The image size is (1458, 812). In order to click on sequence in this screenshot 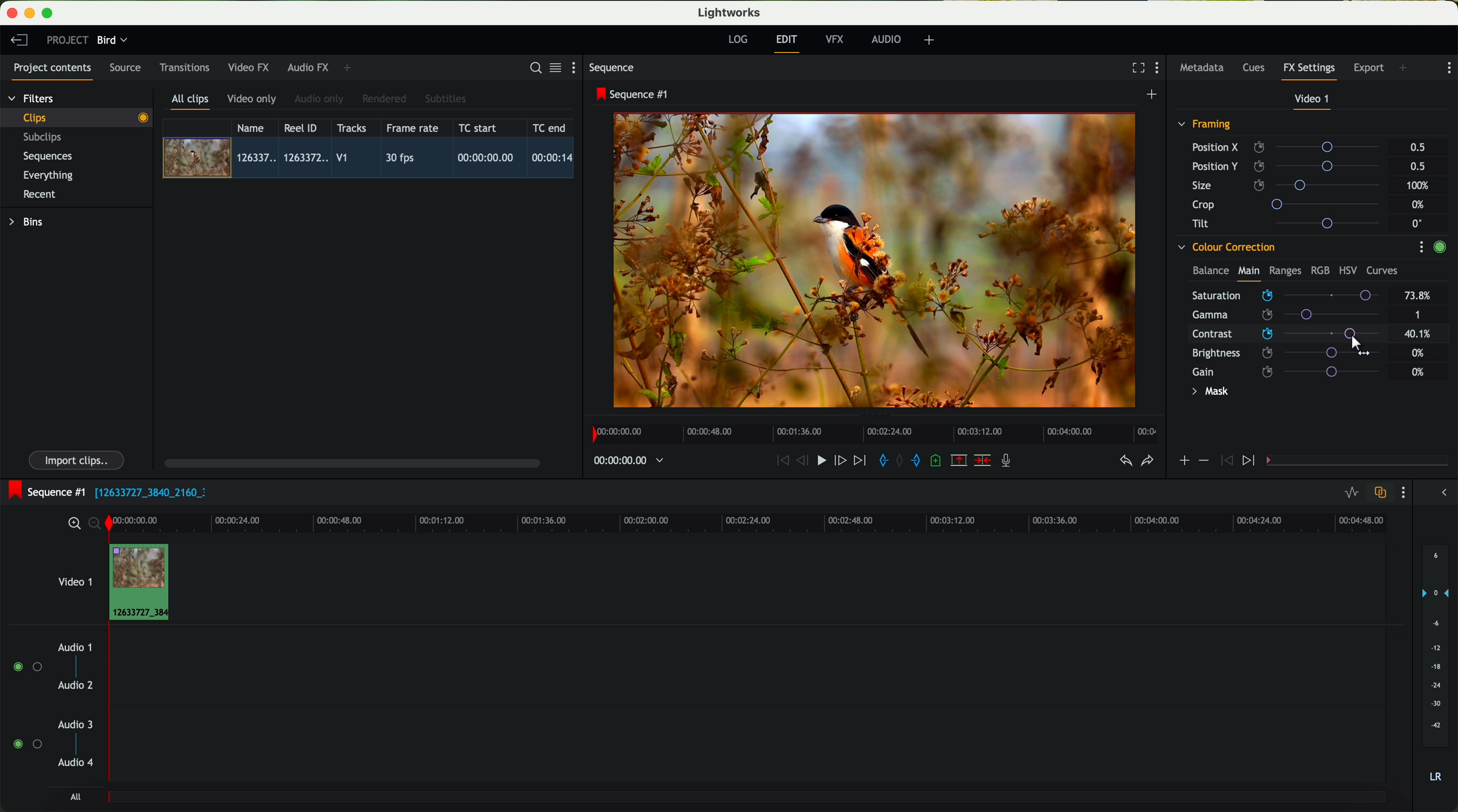, I will do `click(612, 68)`.